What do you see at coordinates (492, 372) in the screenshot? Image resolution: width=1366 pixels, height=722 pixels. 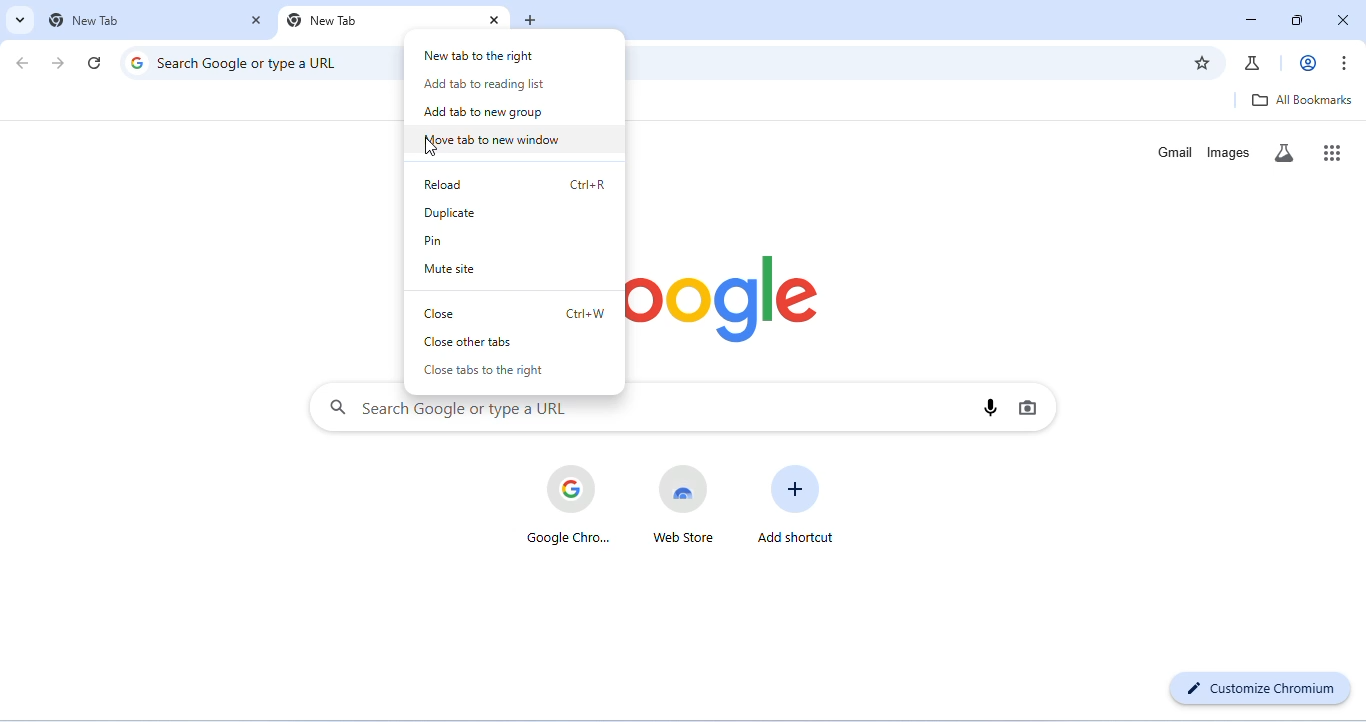 I see `close tabs to the right` at bounding box center [492, 372].